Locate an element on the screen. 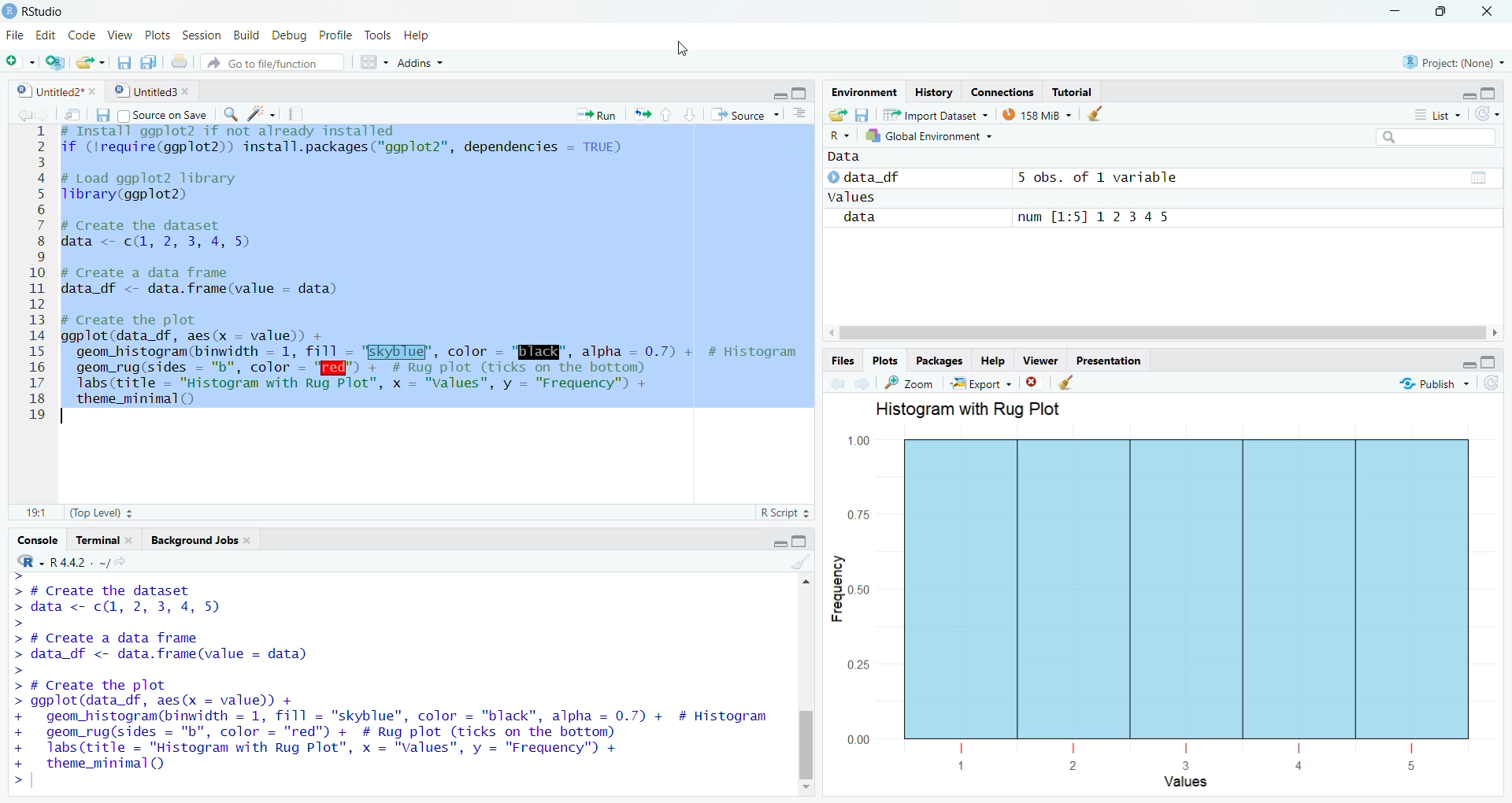 The image size is (1512, 803). Presentation is located at coordinates (1118, 359).